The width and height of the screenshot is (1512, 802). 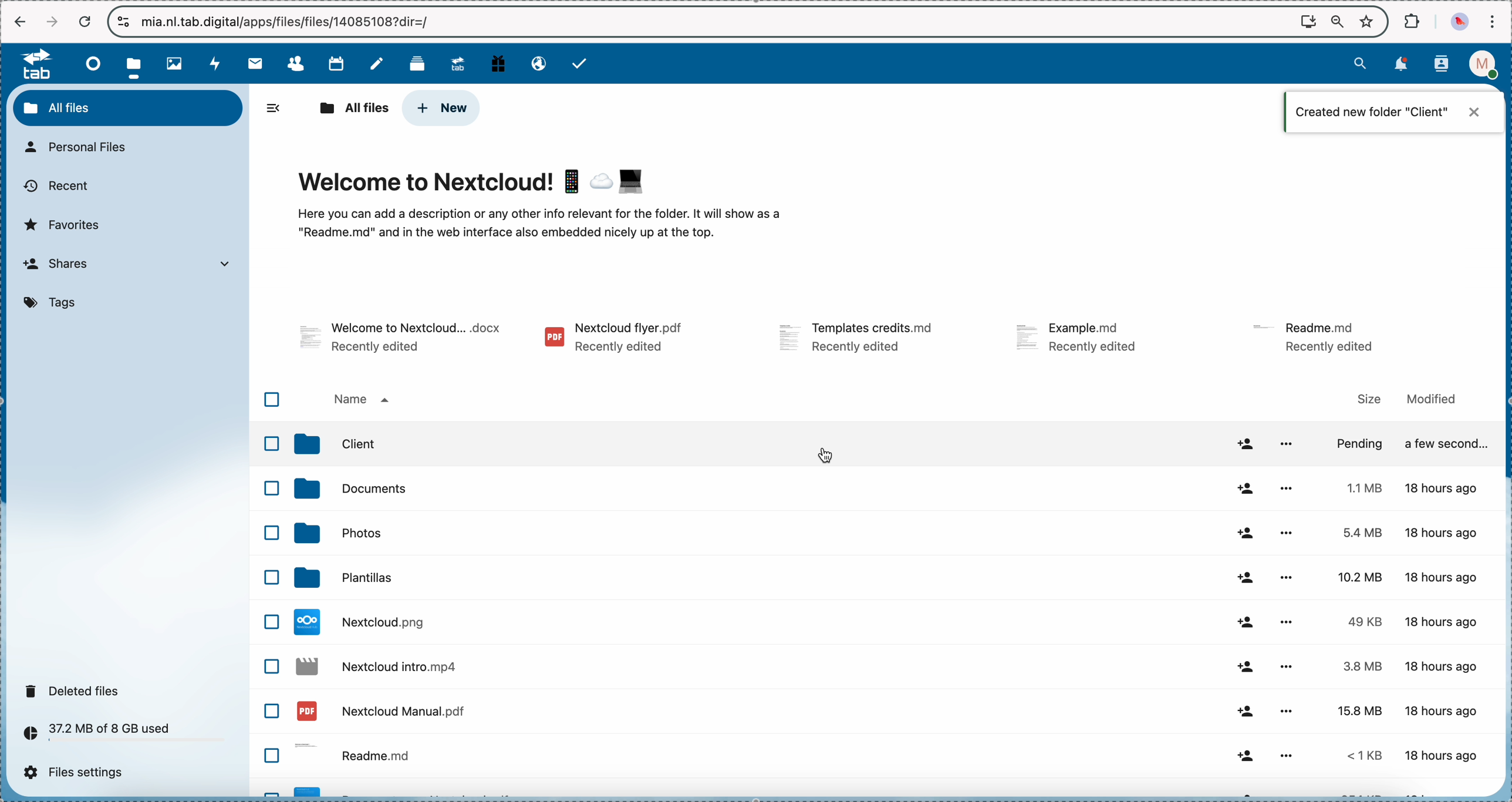 I want to click on file, so click(x=751, y=758).